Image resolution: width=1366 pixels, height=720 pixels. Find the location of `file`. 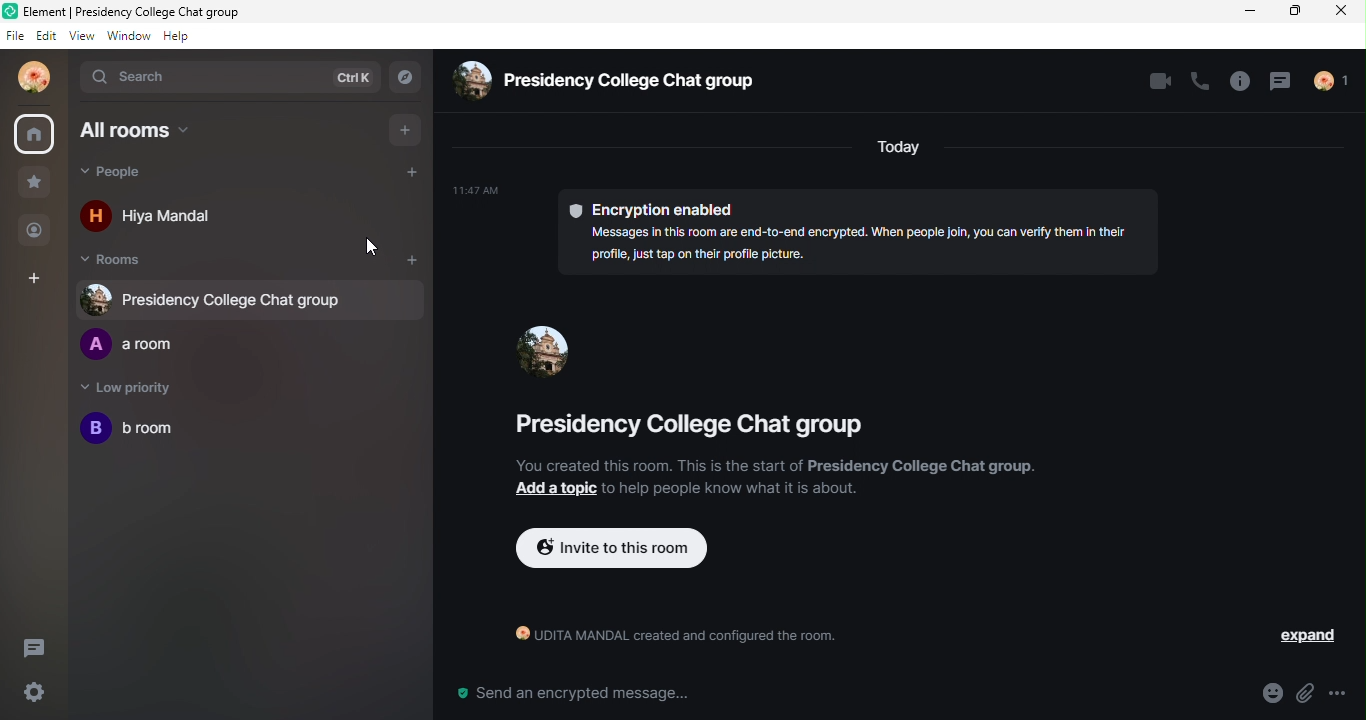

file is located at coordinates (12, 37).